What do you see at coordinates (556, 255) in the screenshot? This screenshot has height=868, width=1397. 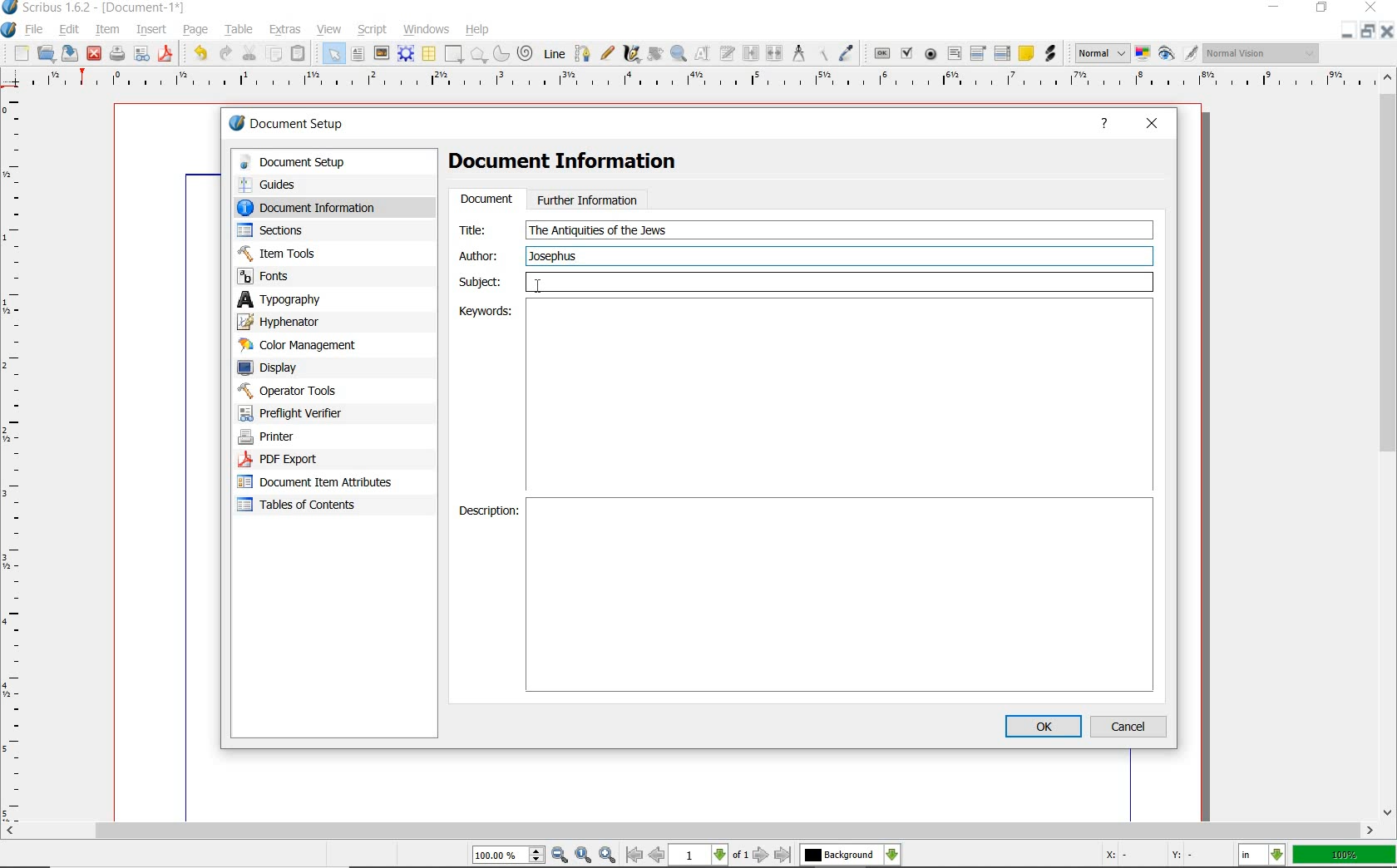 I see `Author Text` at bounding box center [556, 255].